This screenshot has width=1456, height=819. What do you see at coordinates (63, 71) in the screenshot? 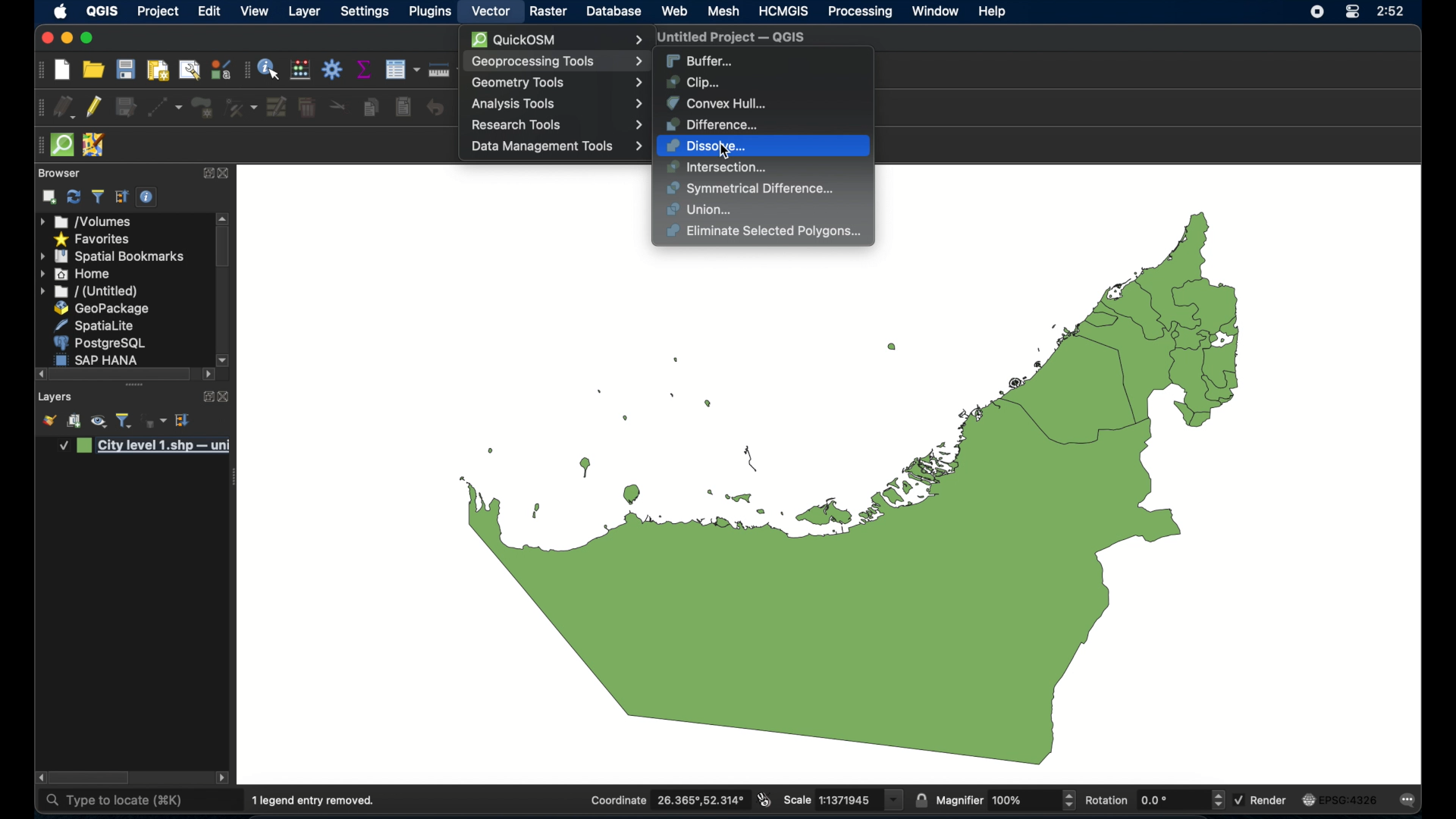
I see `new project` at bounding box center [63, 71].